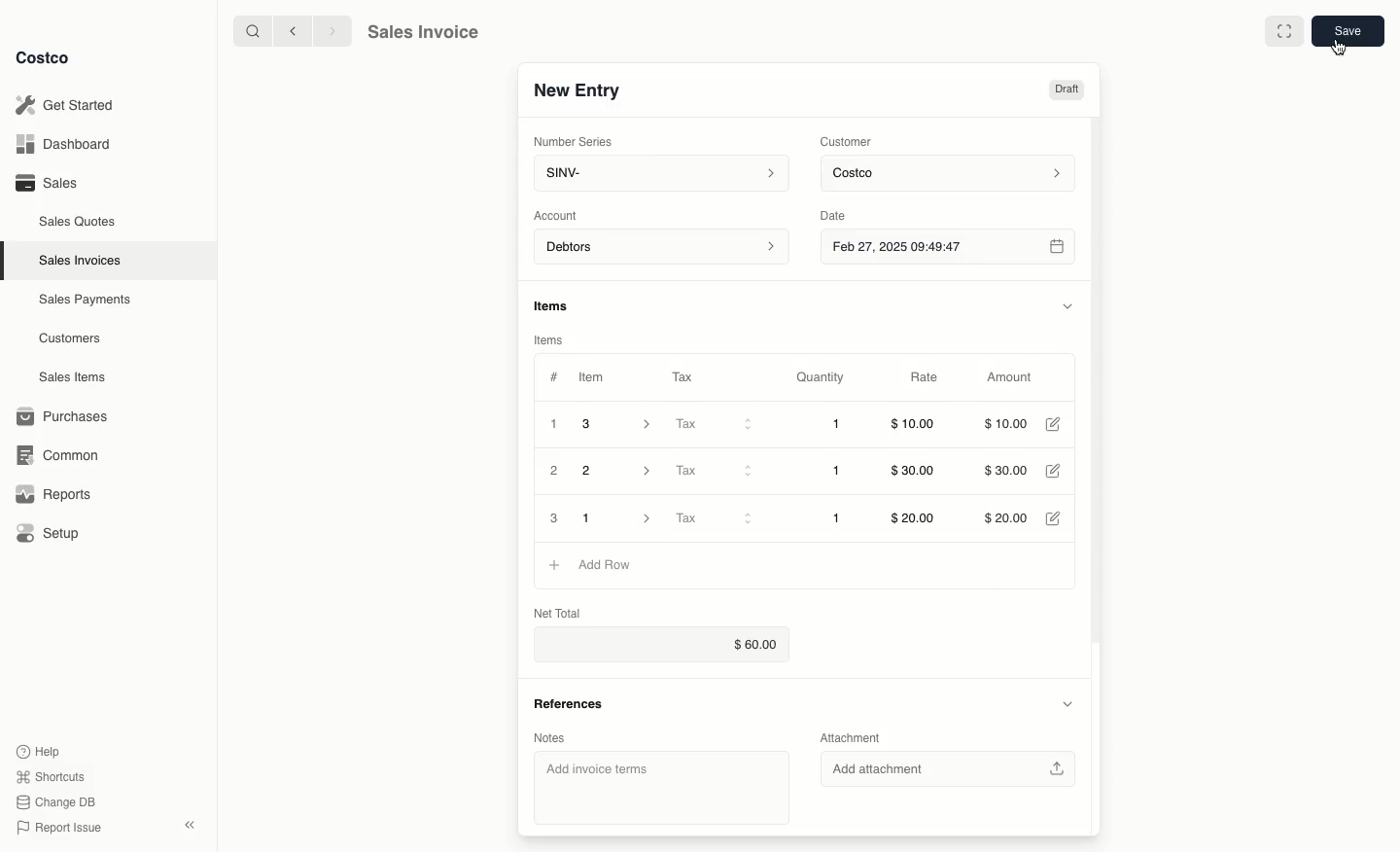 The image size is (1400, 852). I want to click on Costco, so click(44, 58).